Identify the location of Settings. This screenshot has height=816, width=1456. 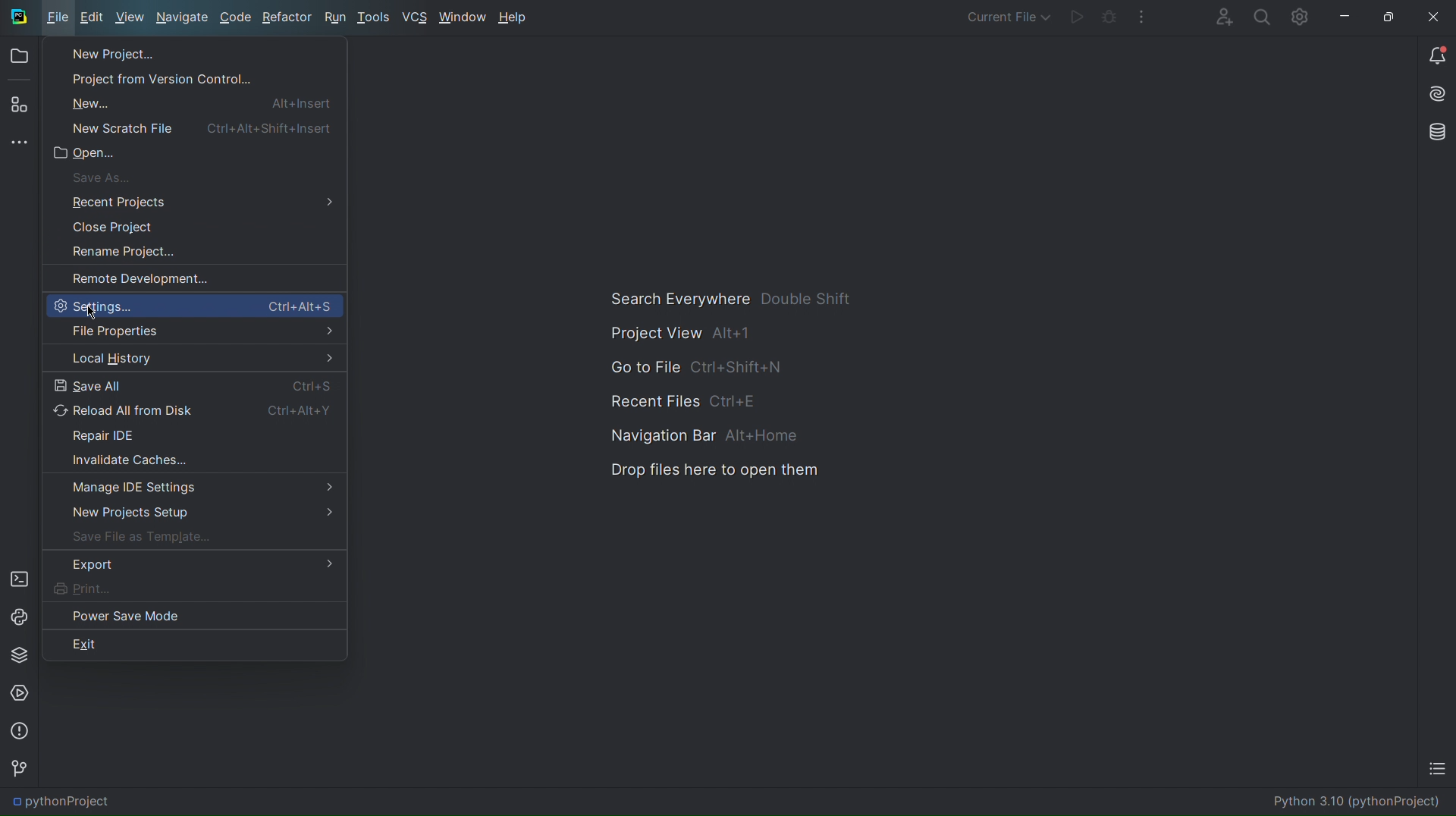
(193, 303).